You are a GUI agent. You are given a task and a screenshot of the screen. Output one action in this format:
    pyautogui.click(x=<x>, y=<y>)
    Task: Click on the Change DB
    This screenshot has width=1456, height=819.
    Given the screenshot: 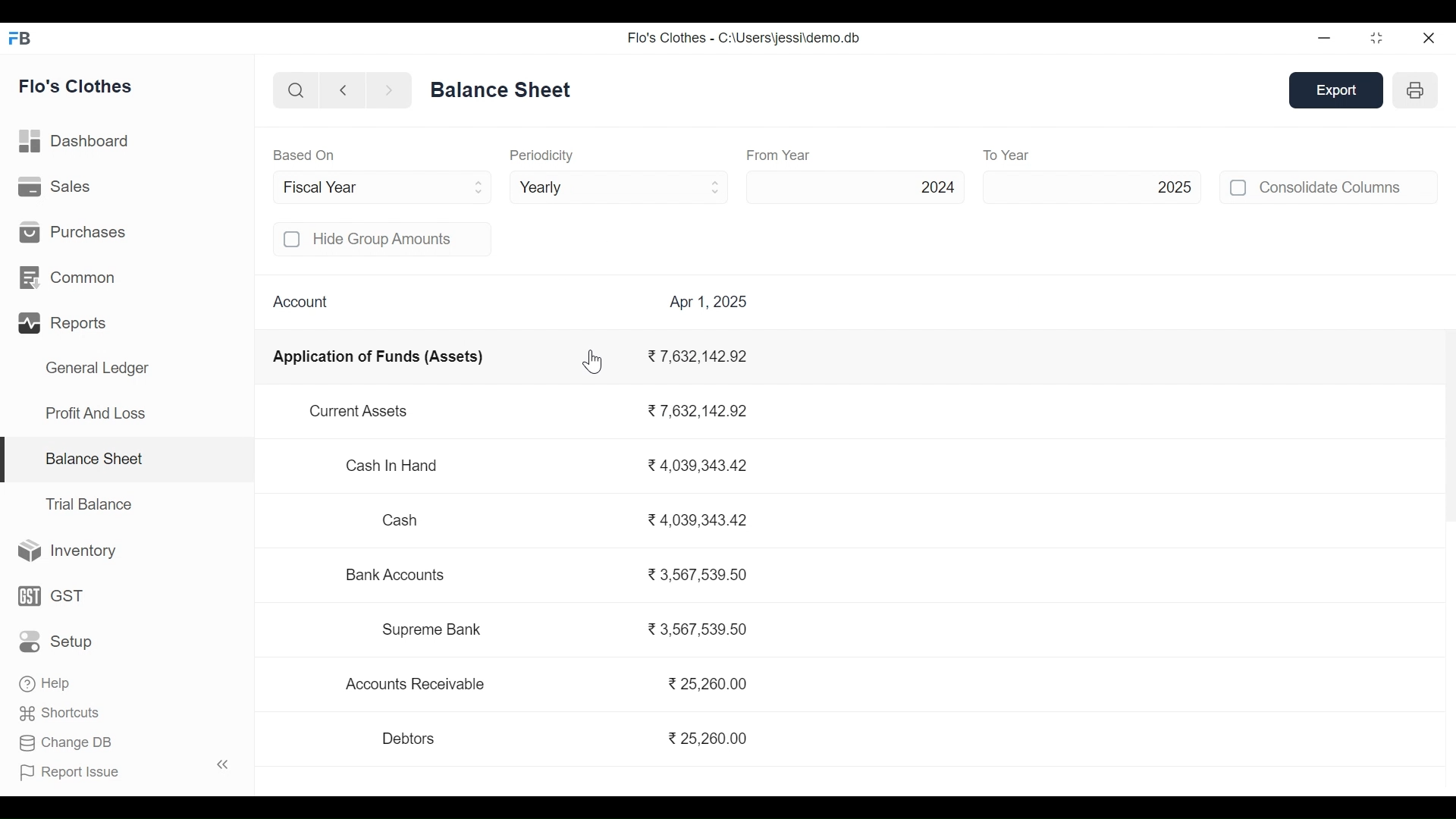 What is the action you would take?
    pyautogui.click(x=66, y=741)
    